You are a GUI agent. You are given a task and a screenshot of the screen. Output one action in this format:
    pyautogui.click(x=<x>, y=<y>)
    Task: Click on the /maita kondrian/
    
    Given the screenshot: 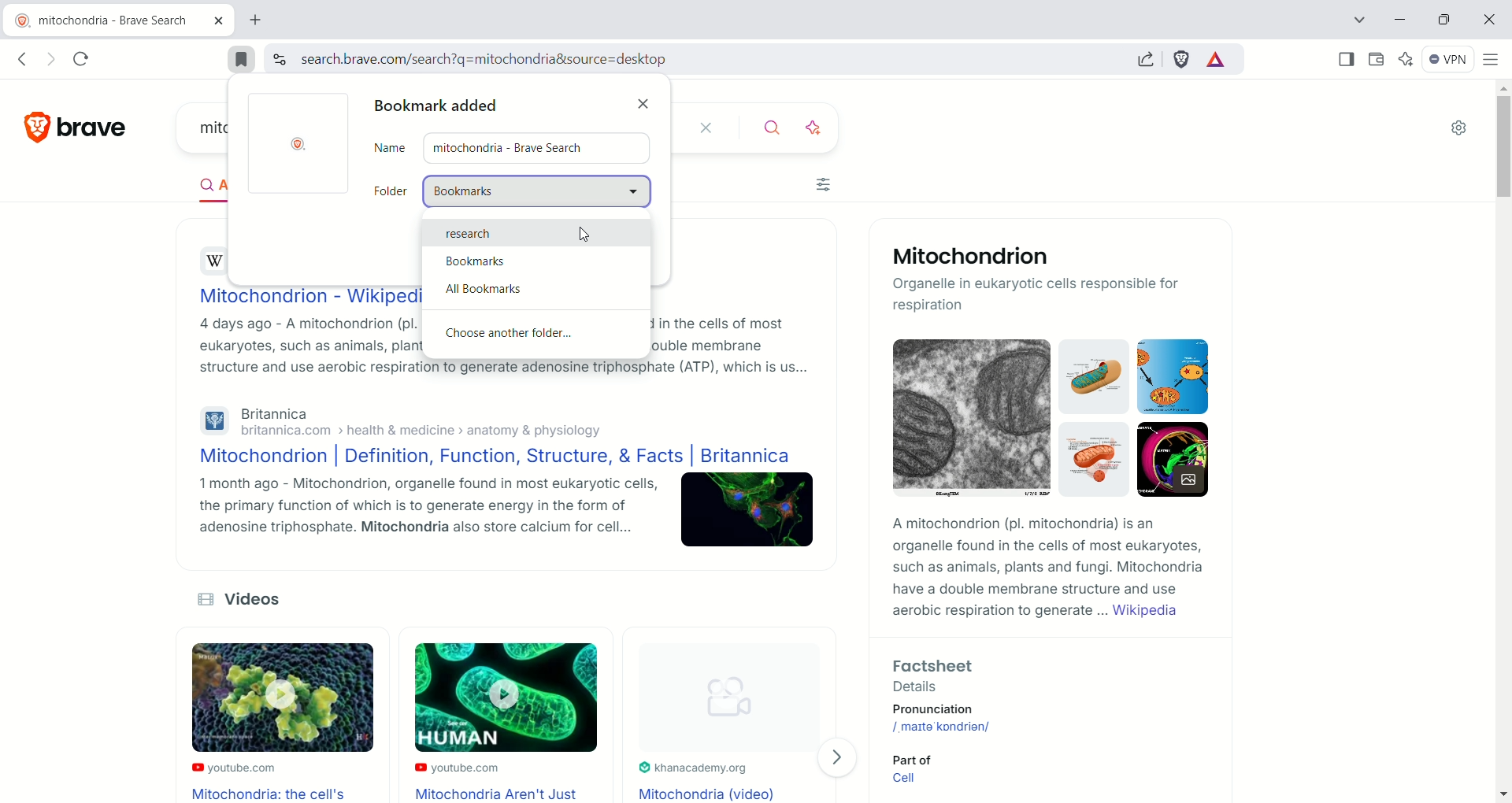 What is the action you would take?
    pyautogui.click(x=944, y=726)
    